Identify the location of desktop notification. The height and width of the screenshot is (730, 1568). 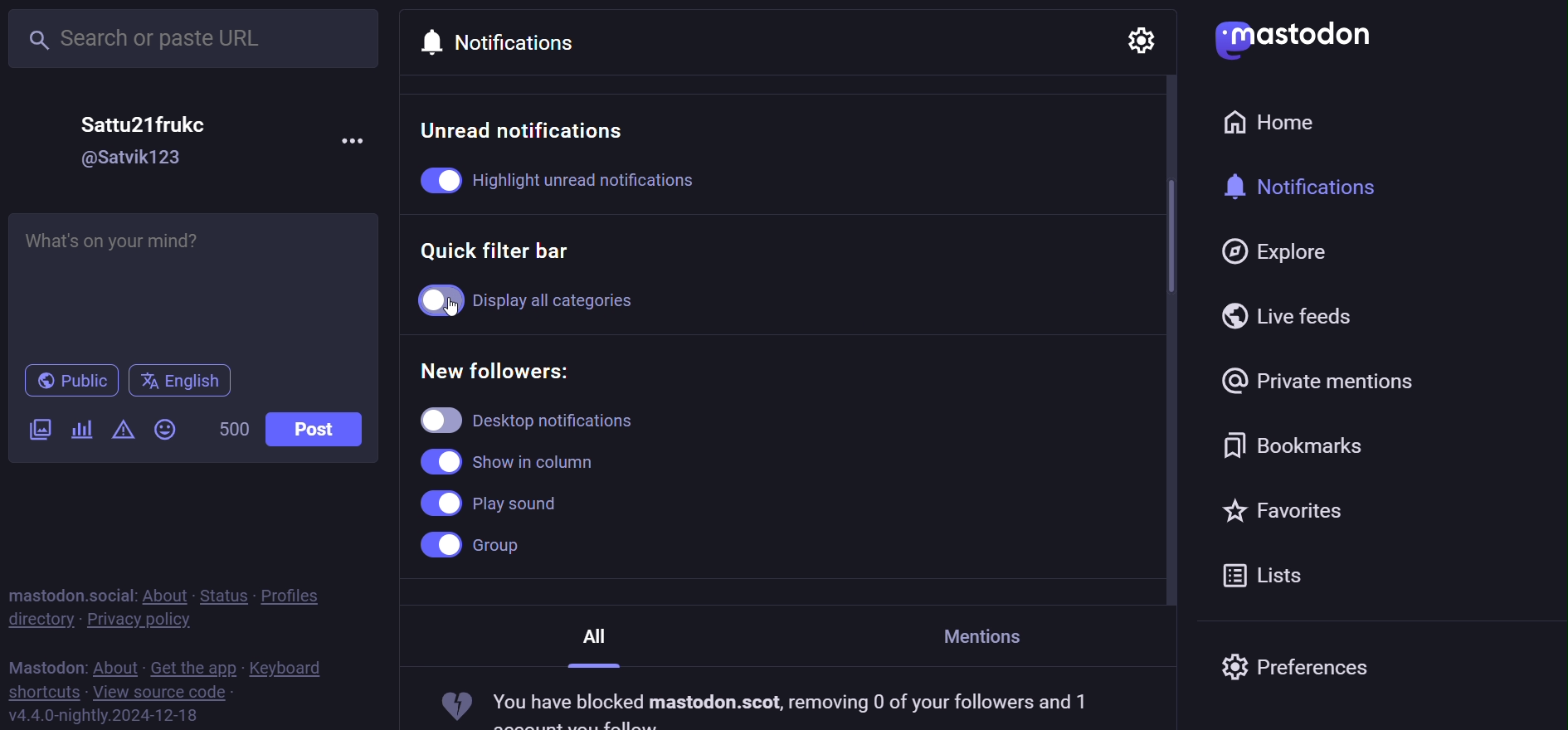
(555, 419).